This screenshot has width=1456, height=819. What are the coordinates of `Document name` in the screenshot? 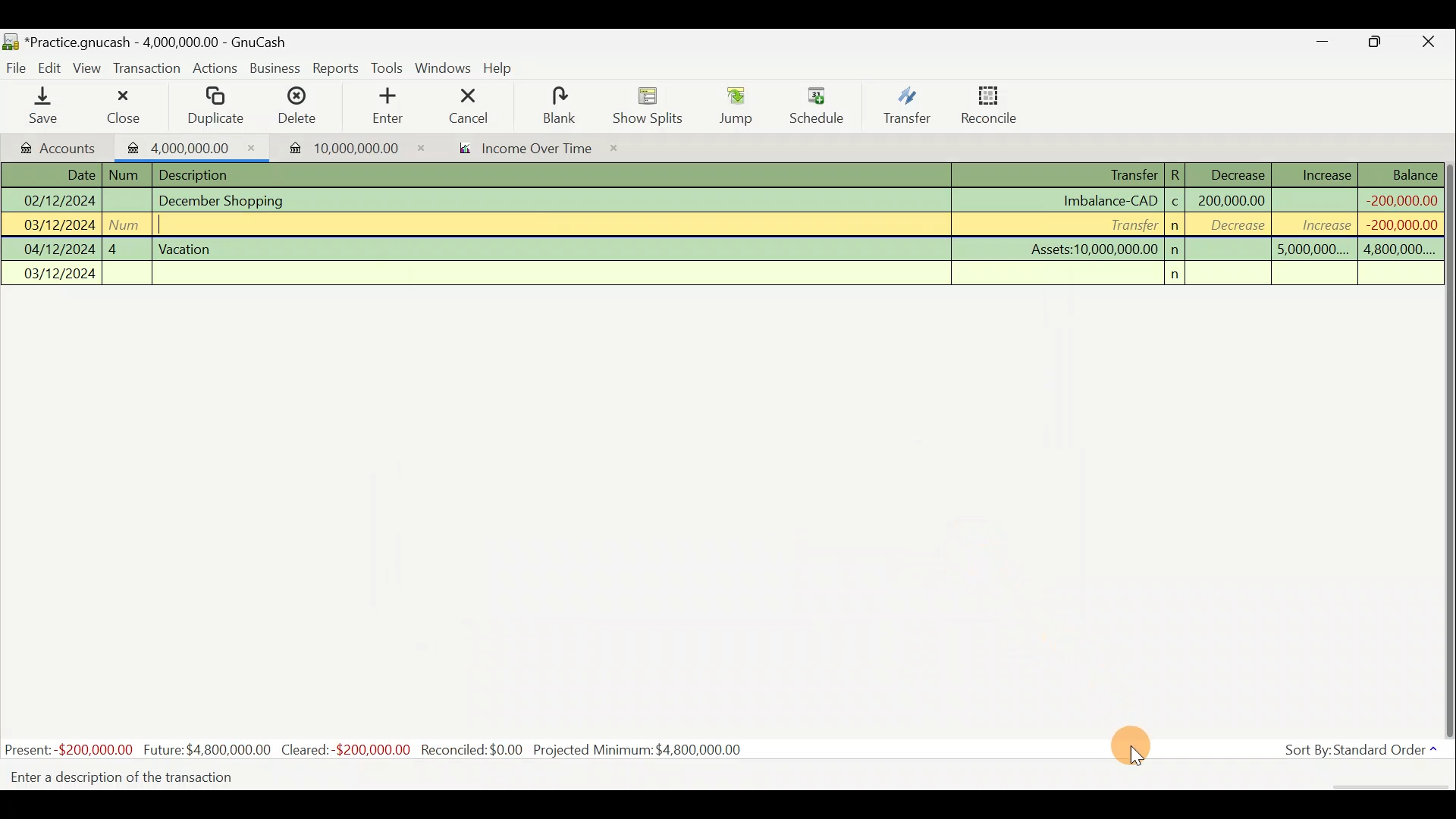 It's located at (145, 39).